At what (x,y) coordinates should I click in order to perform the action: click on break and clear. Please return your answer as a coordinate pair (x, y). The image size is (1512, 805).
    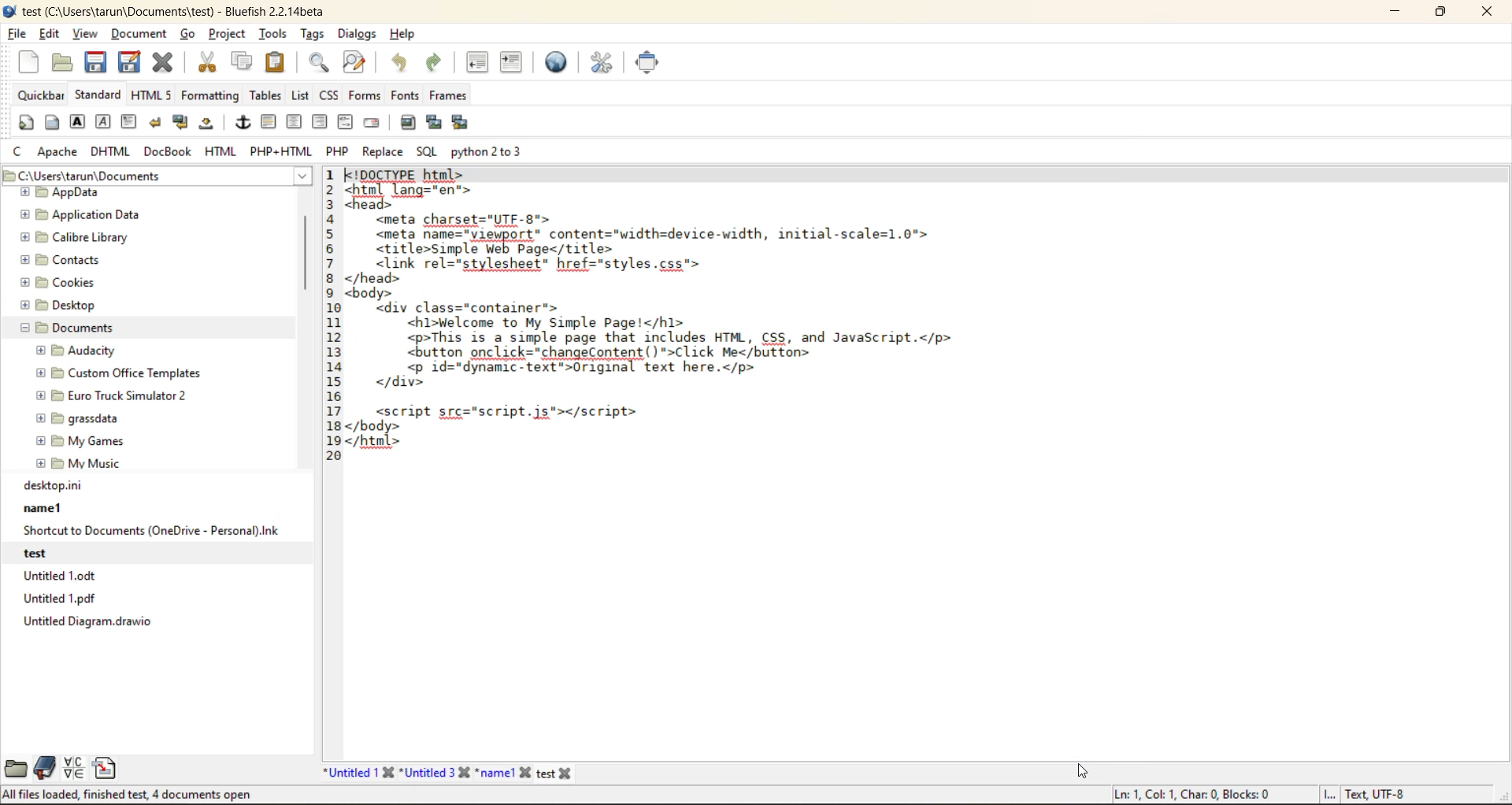
    Looking at the image, I should click on (182, 124).